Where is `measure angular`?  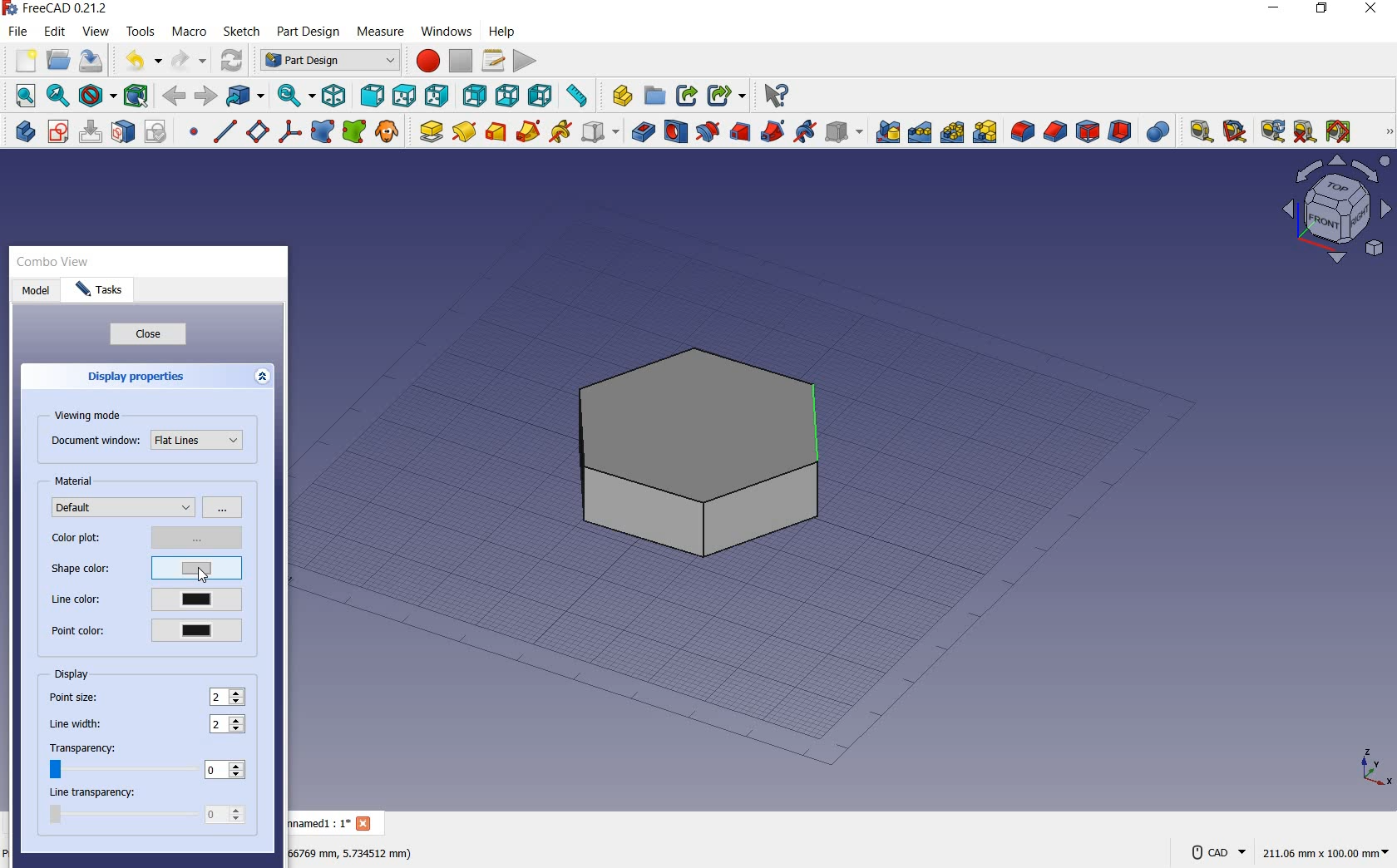
measure angular is located at coordinates (1236, 133).